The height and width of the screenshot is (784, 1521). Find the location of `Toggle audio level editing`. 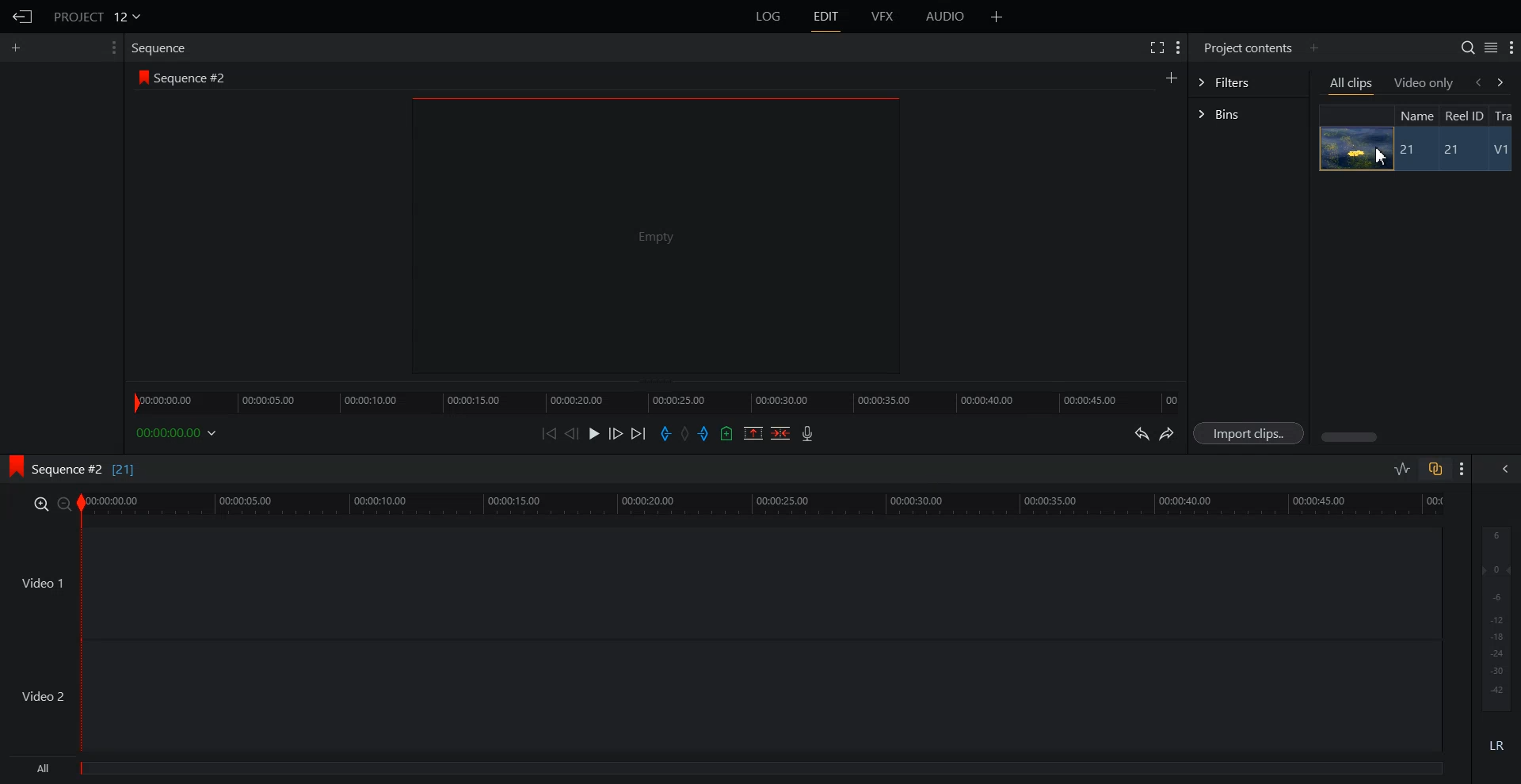

Toggle audio level editing is located at coordinates (1402, 468).